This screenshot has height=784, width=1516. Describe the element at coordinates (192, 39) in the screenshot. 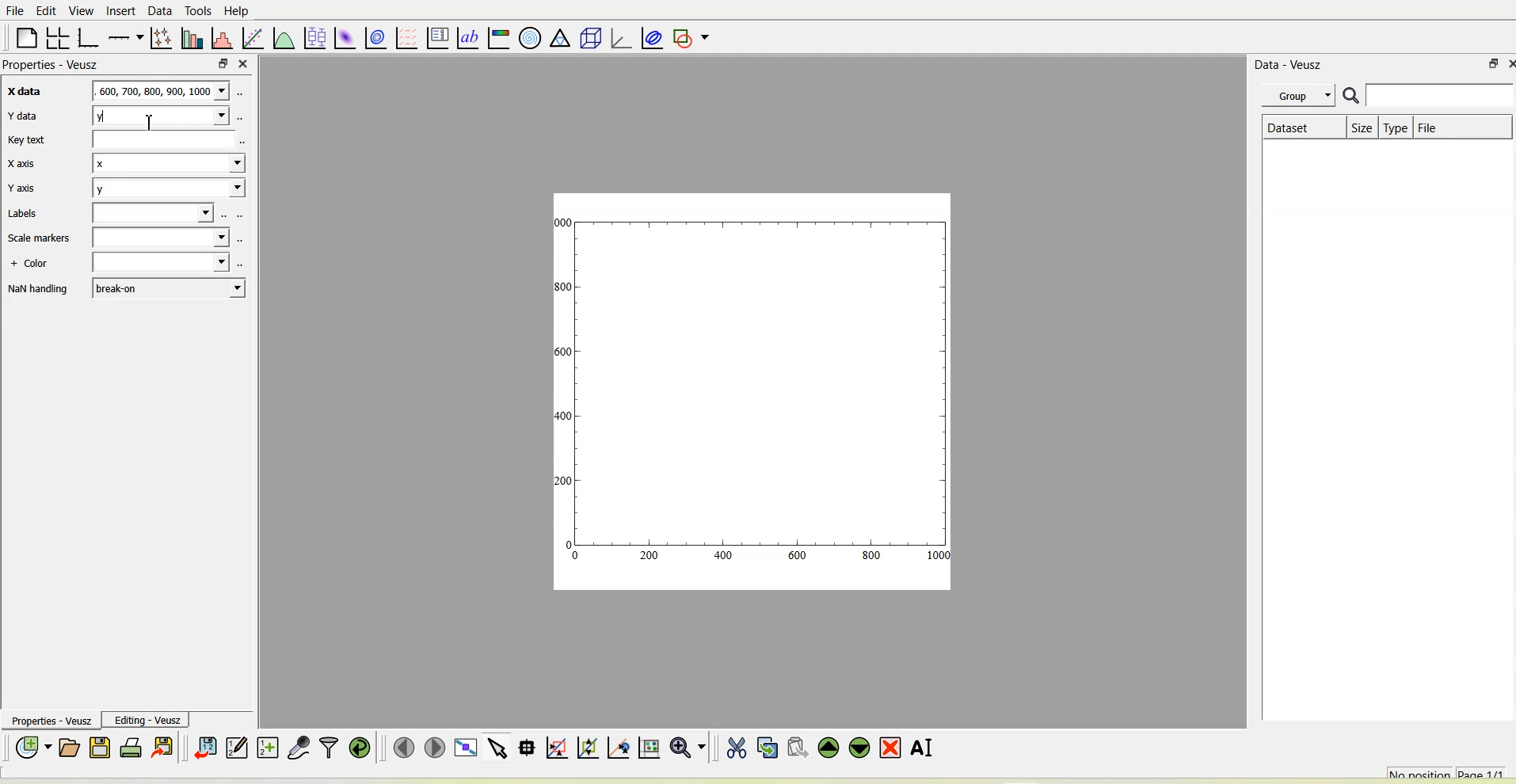

I see `Plot bar charts` at that location.